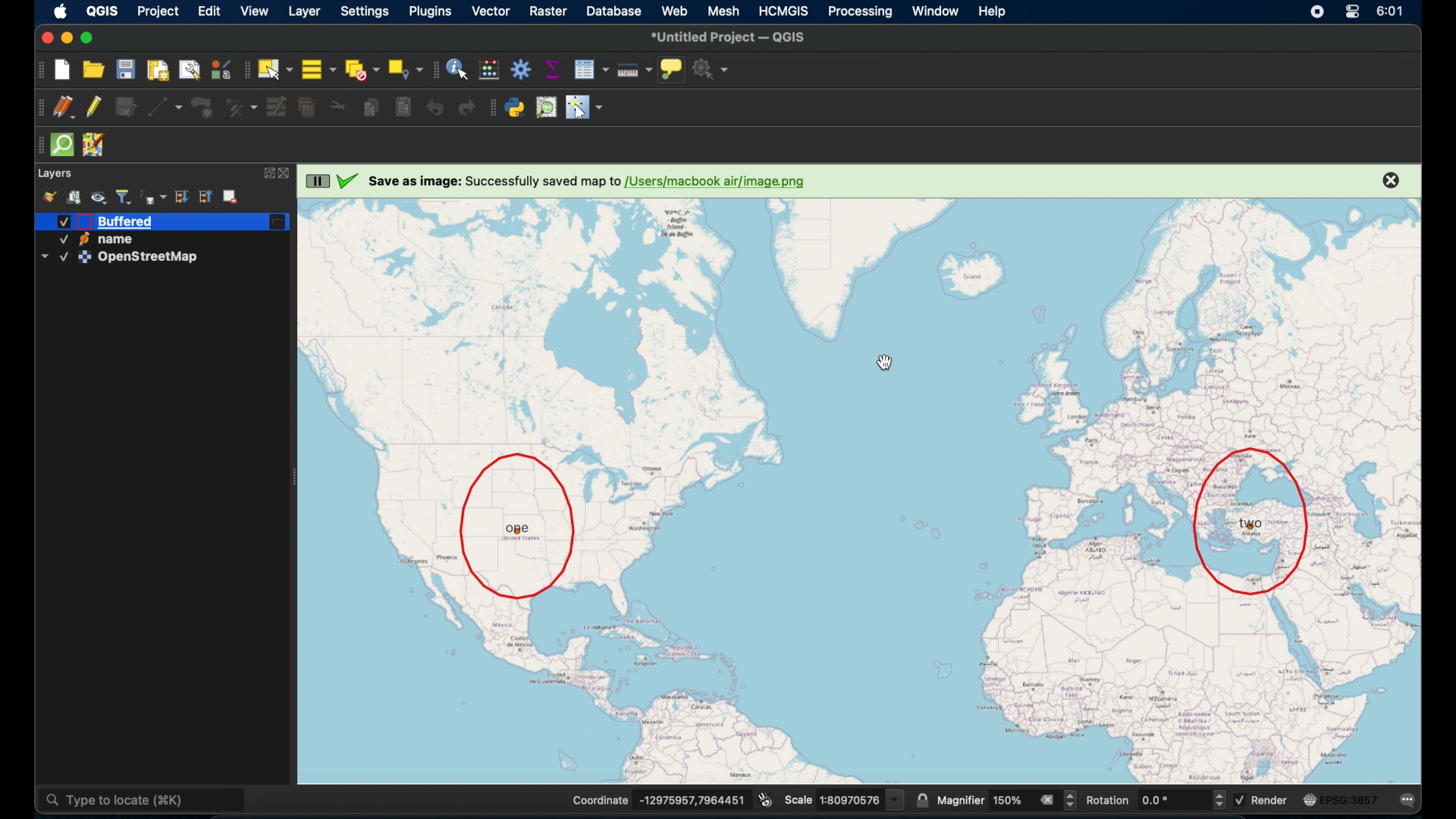 The width and height of the screenshot is (1456, 819). I want to click on name, so click(121, 240).